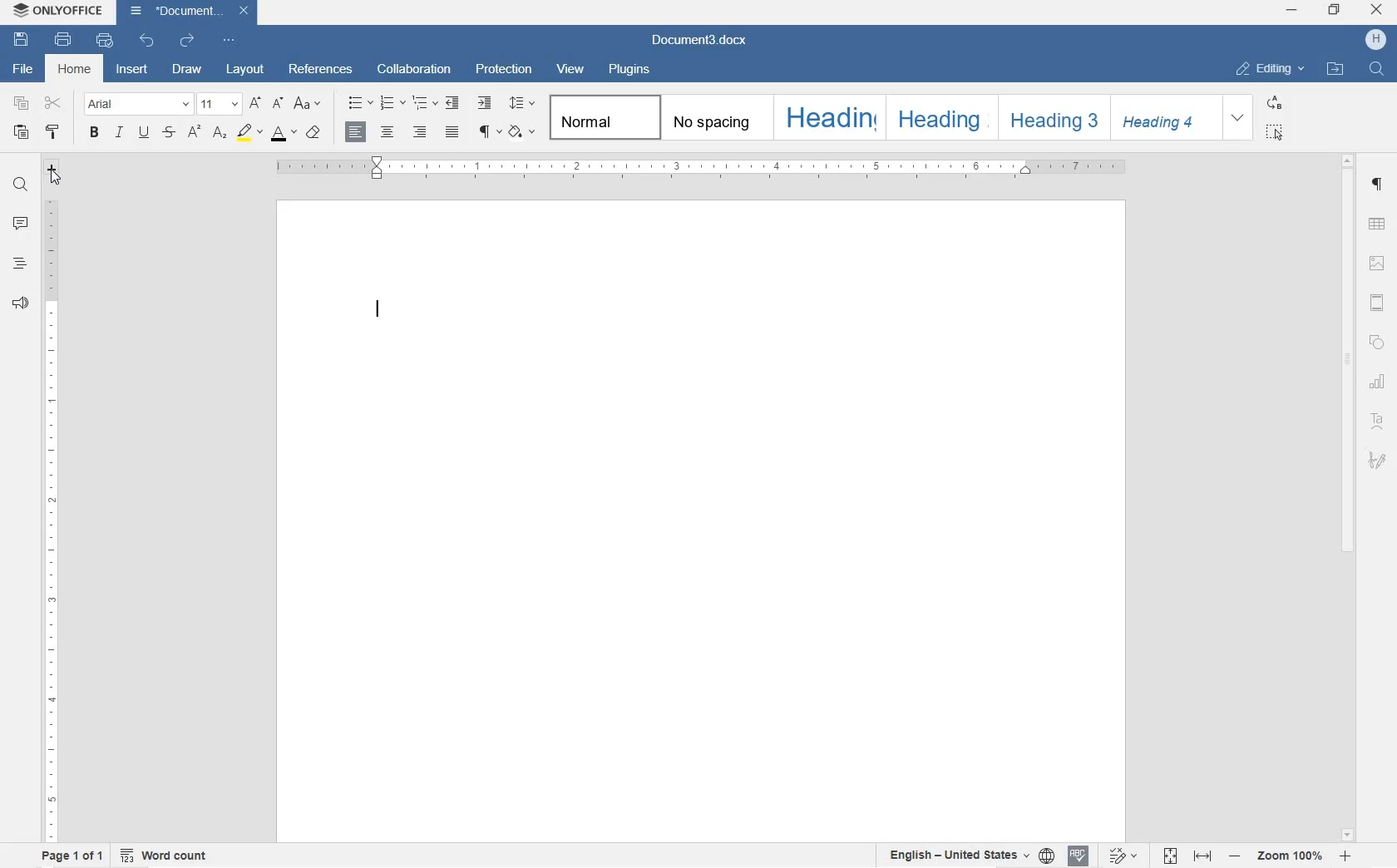 The image size is (1397, 868). I want to click on MINIMIZE, so click(1291, 10).